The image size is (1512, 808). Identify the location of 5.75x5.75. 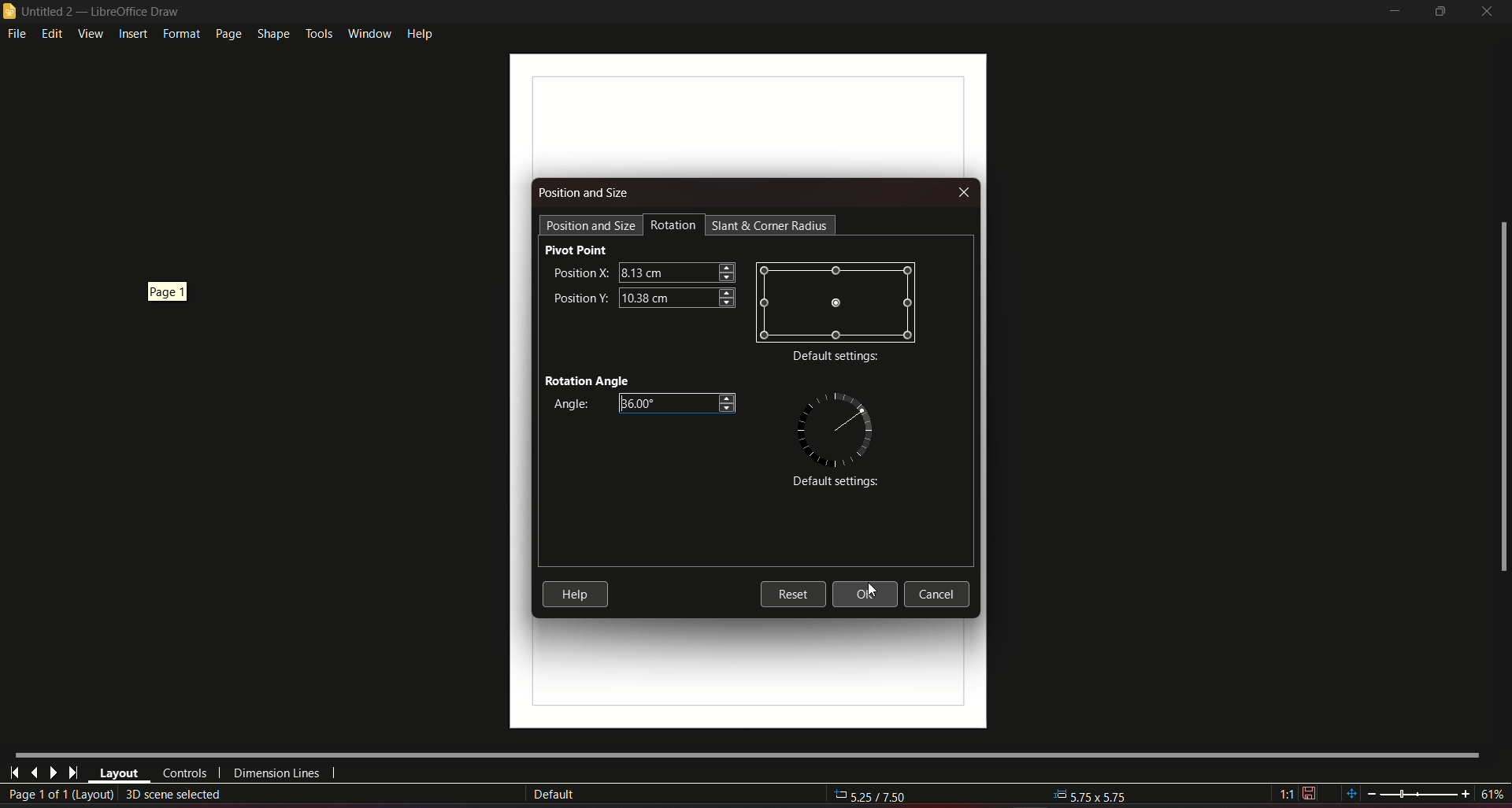
(1091, 794).